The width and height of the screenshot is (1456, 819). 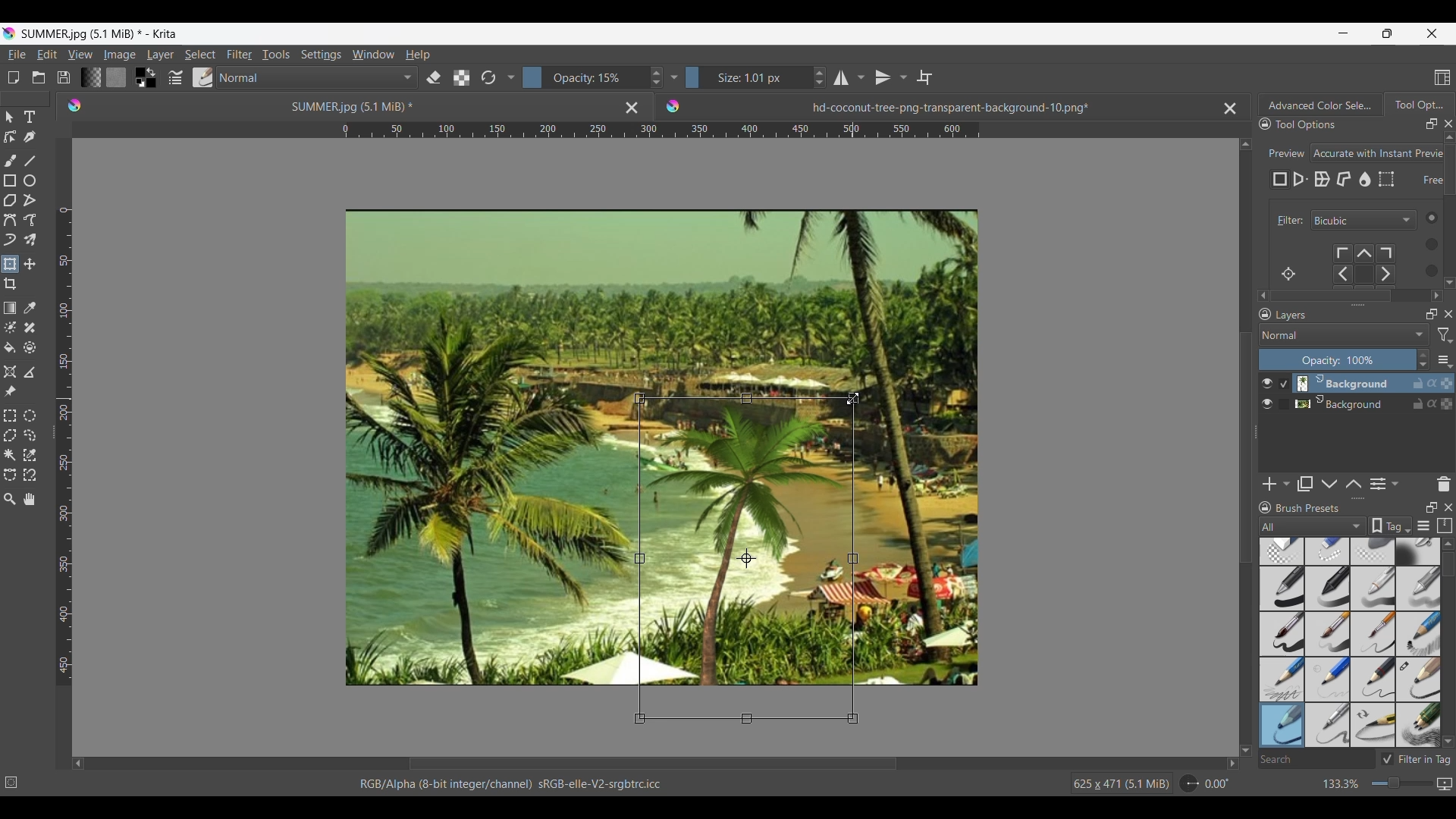 I want to click on Colorize mask tool, so click(x=11, y=327).